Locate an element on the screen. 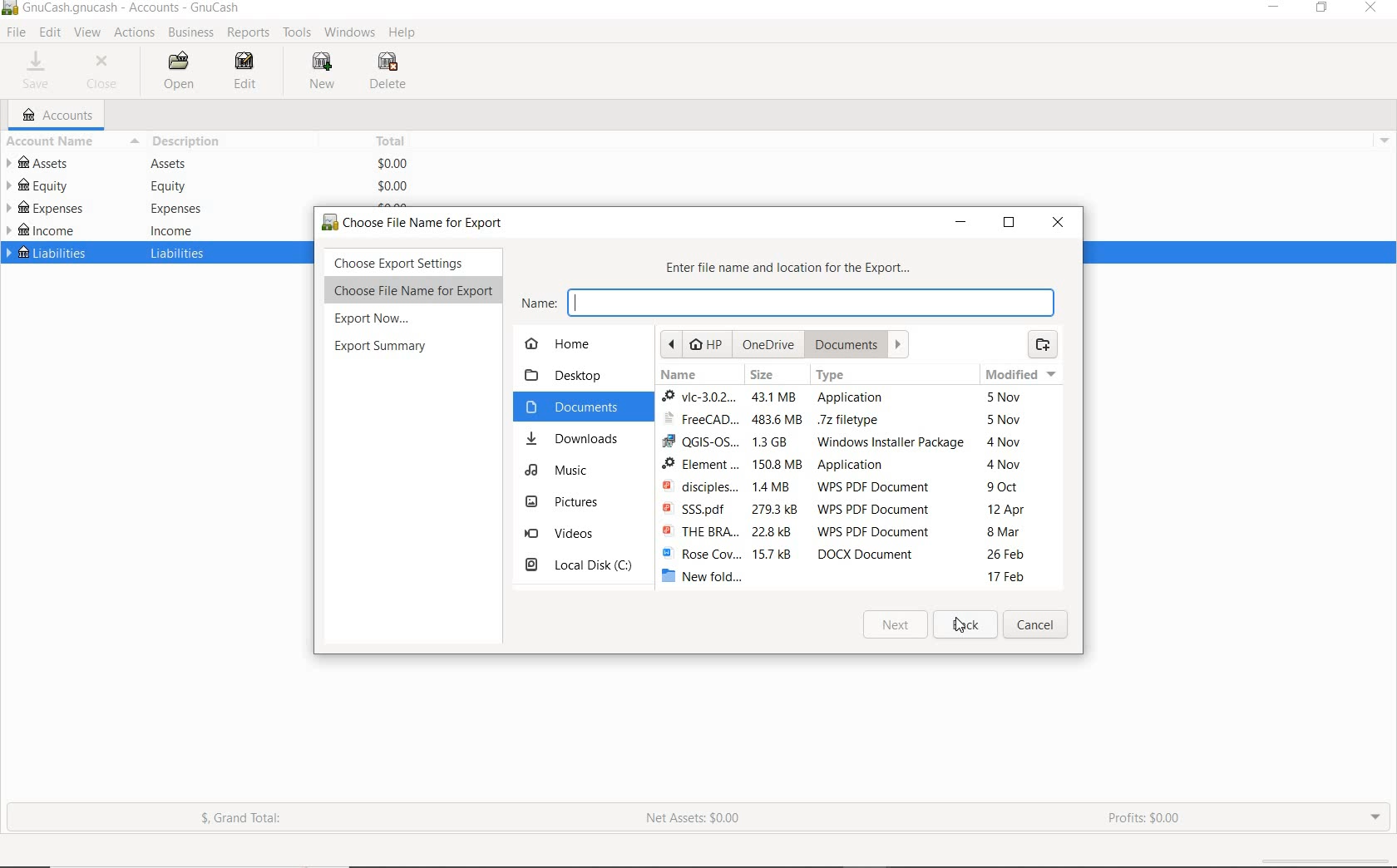 The width and height of the screenshot is (1397, 868). INCOME is located at coordinates (44, 230).